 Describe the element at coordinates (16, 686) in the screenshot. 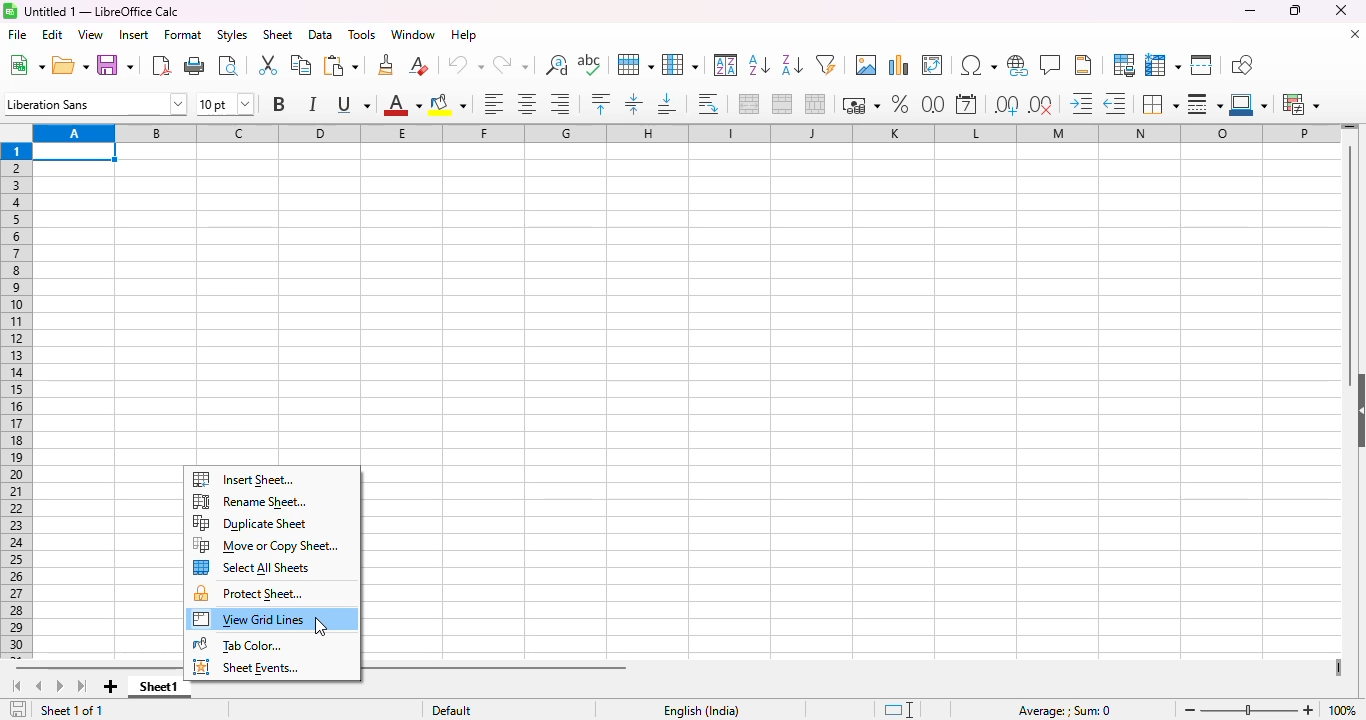

I see `scroll to first sheet` at that location.